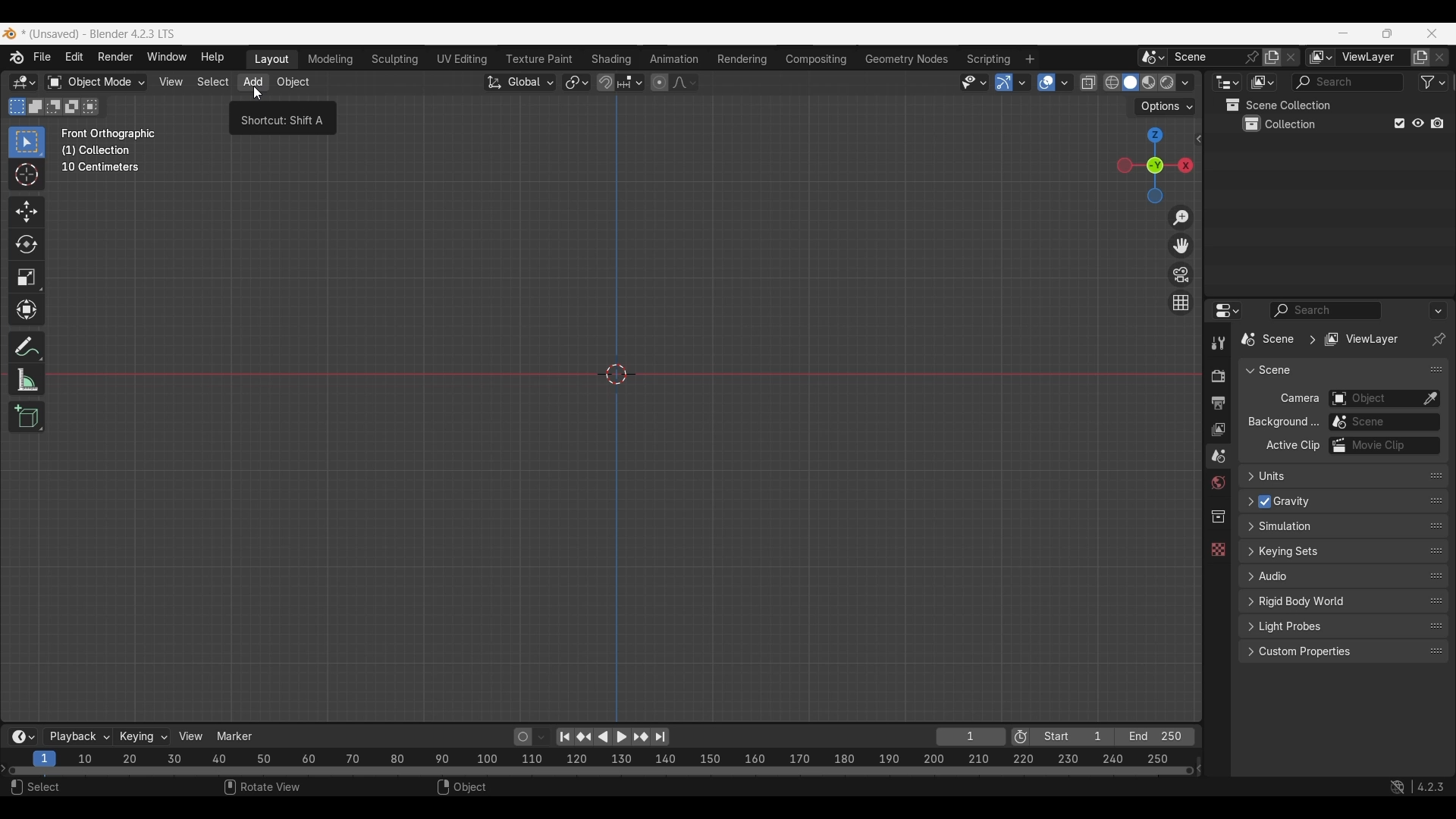 Image resolution: width=1456 pixels, height=819 pixels. What do you see at coordinates (1217, 484) in the screenshot?
I see `World` at bounding box center [1217, 484].